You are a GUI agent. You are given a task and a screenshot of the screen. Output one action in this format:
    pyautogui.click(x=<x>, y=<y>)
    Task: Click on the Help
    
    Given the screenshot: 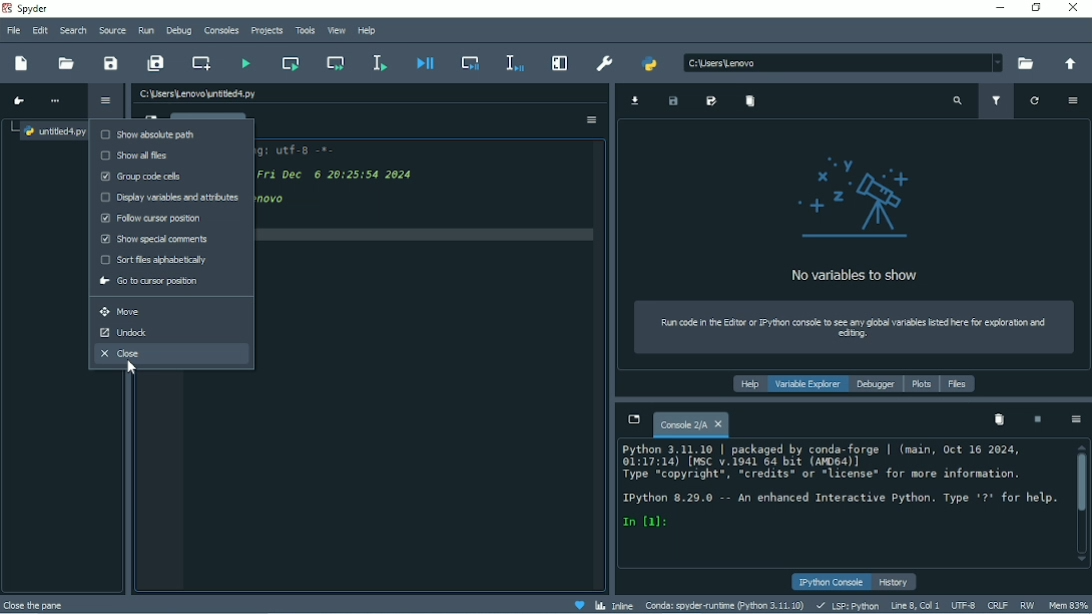 What is the action you would take?
    pyautogui.click(x=364, y=31)
    